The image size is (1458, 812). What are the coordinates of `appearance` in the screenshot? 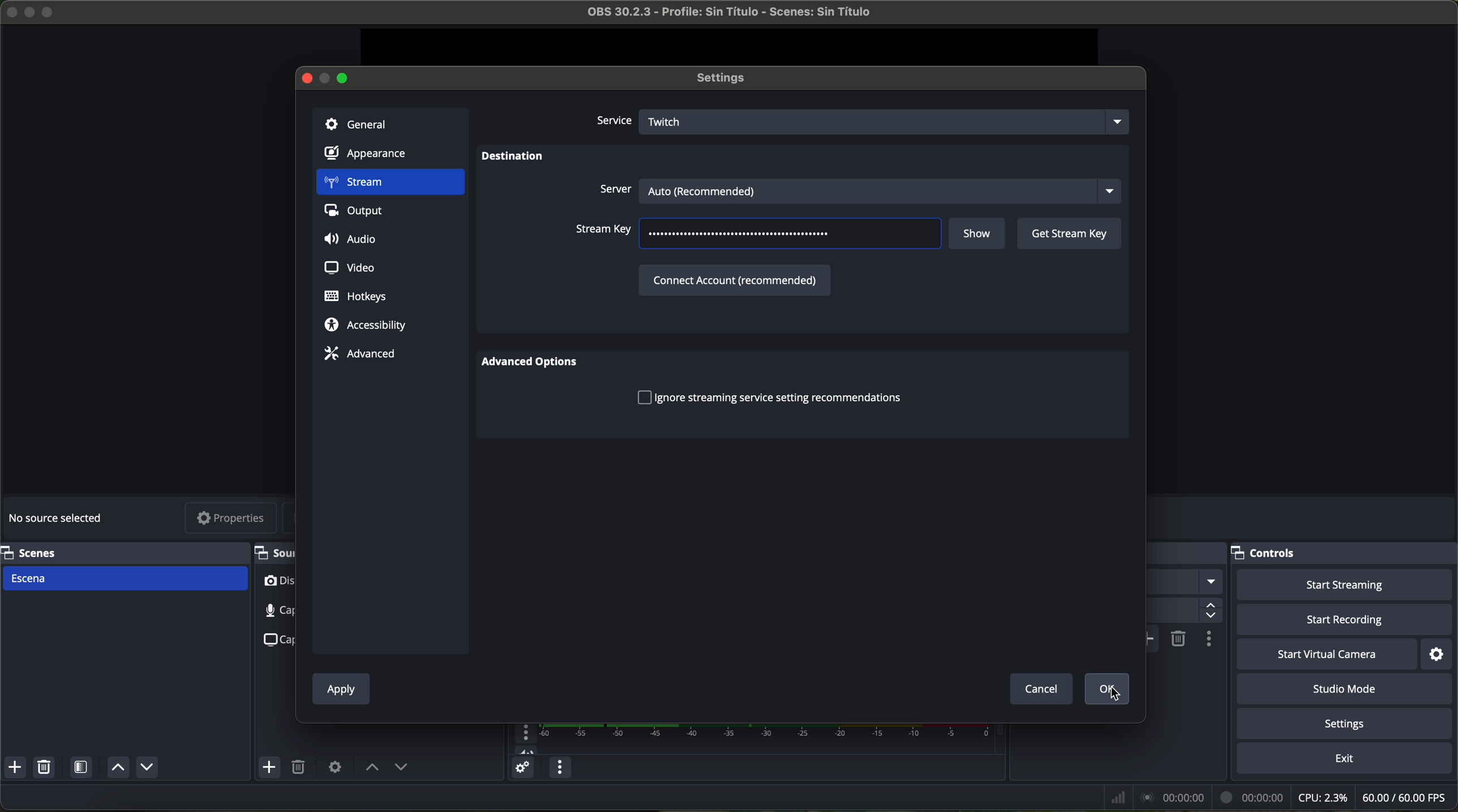 It's located at (372, 156).